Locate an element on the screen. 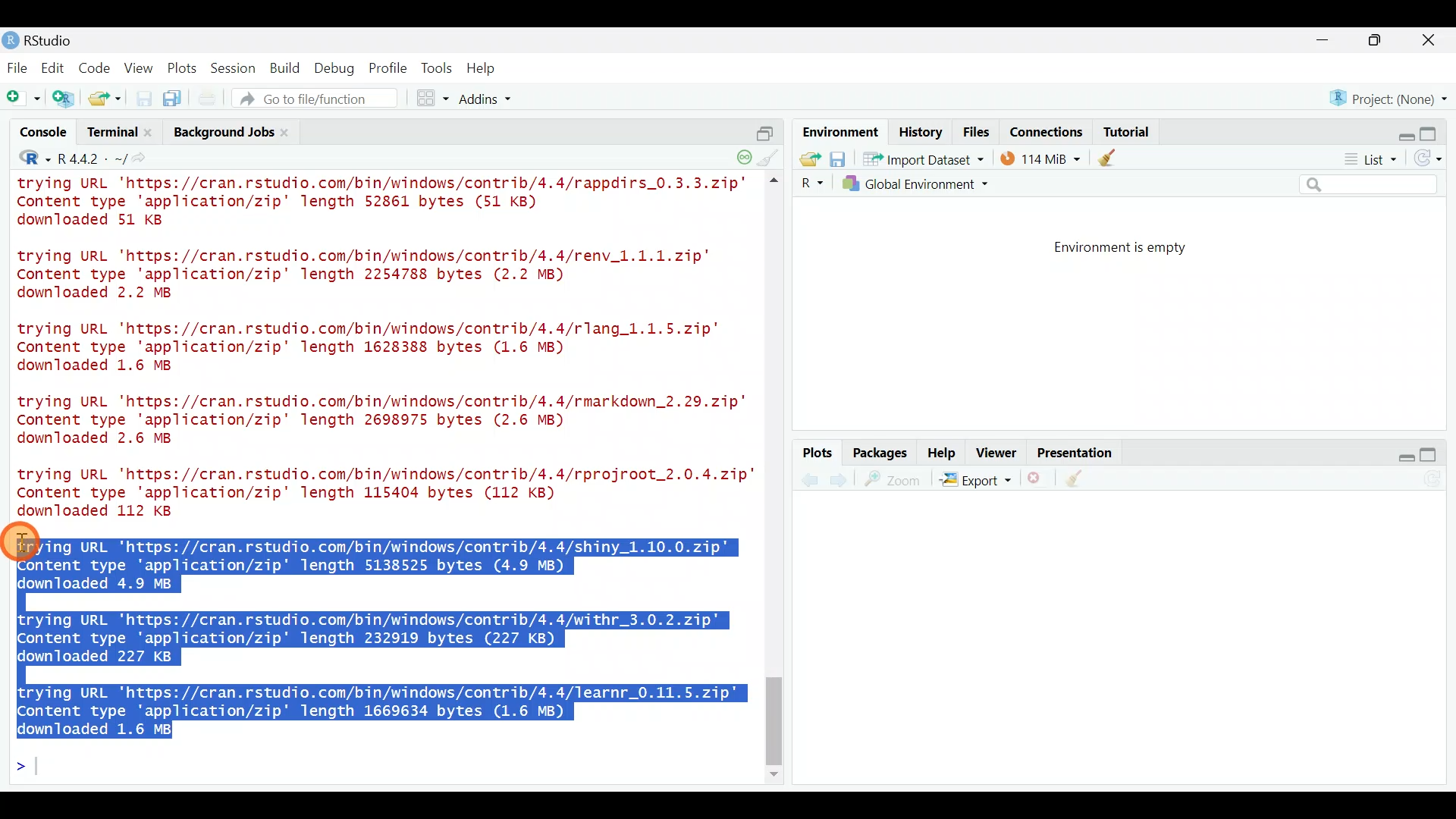 Image resolution: width=1456 pixels, height=819 pixels. Cursor is located at coordinates (26, 541).